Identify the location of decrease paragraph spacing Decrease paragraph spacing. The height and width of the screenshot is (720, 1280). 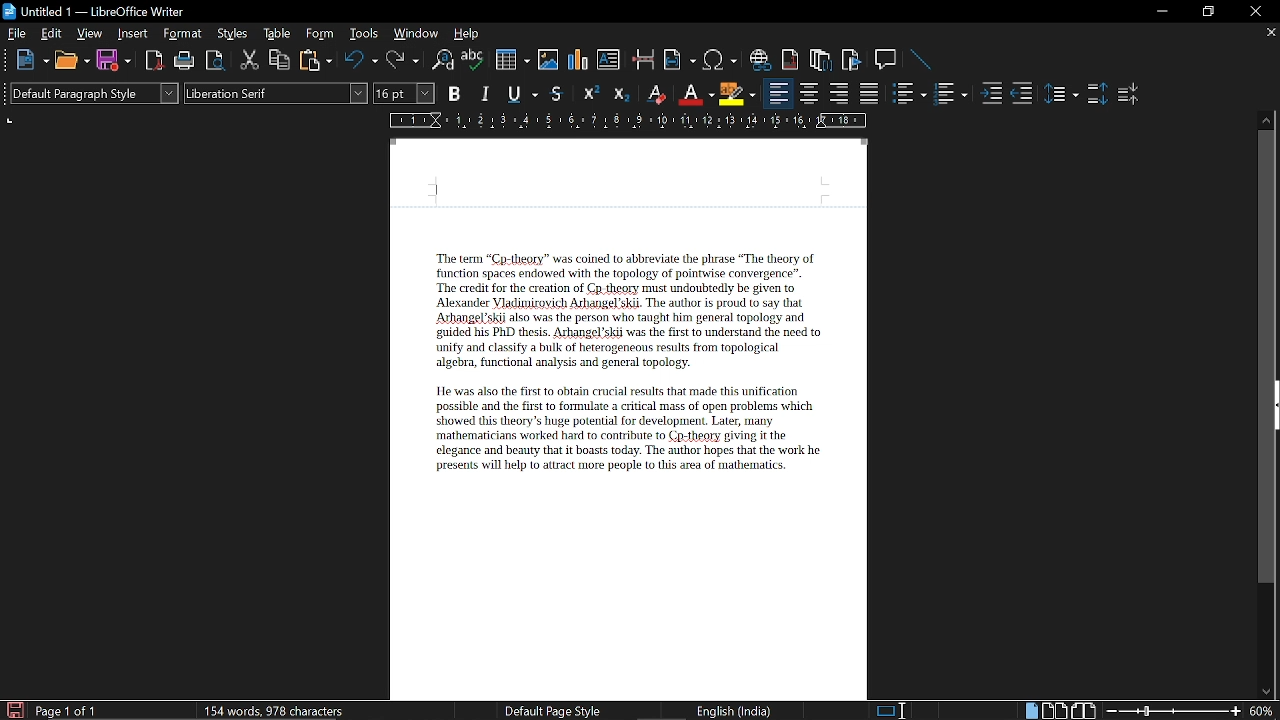
(1132, 93).